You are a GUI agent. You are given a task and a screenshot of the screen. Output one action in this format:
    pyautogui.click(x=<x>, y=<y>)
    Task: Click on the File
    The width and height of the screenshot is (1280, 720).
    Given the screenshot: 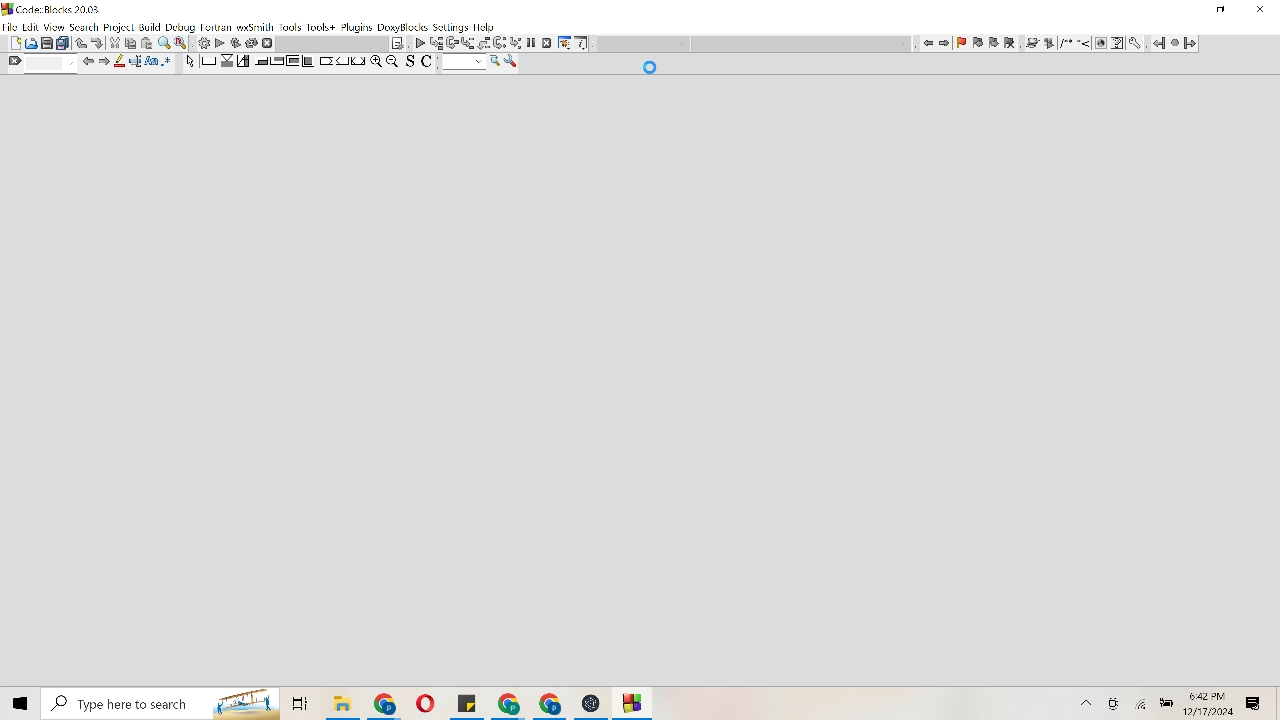 What is the action you would take?
    pyautogui.click(x=551, y=704)
    